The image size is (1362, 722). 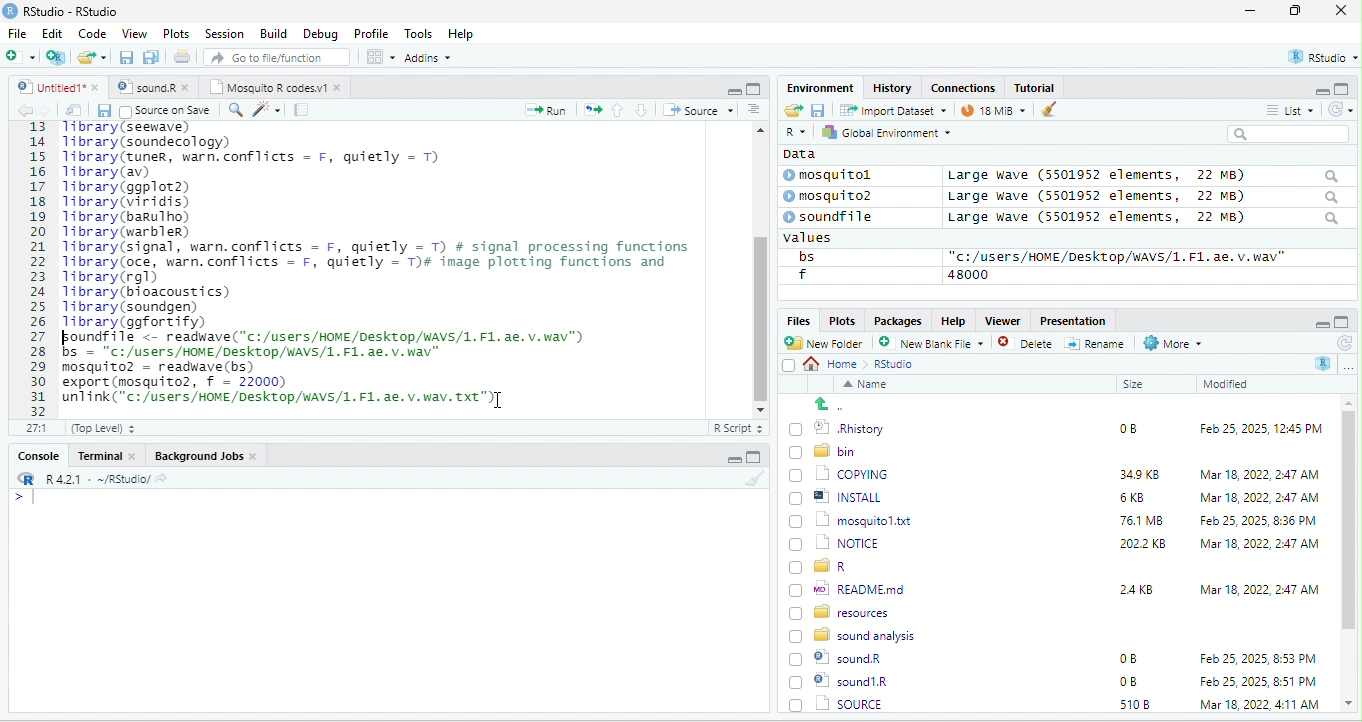 What do you see at coordinates (150, 87) in the screenshot?
I see `‘Mosquito R codes.vi` at bounding box center [150, 87].